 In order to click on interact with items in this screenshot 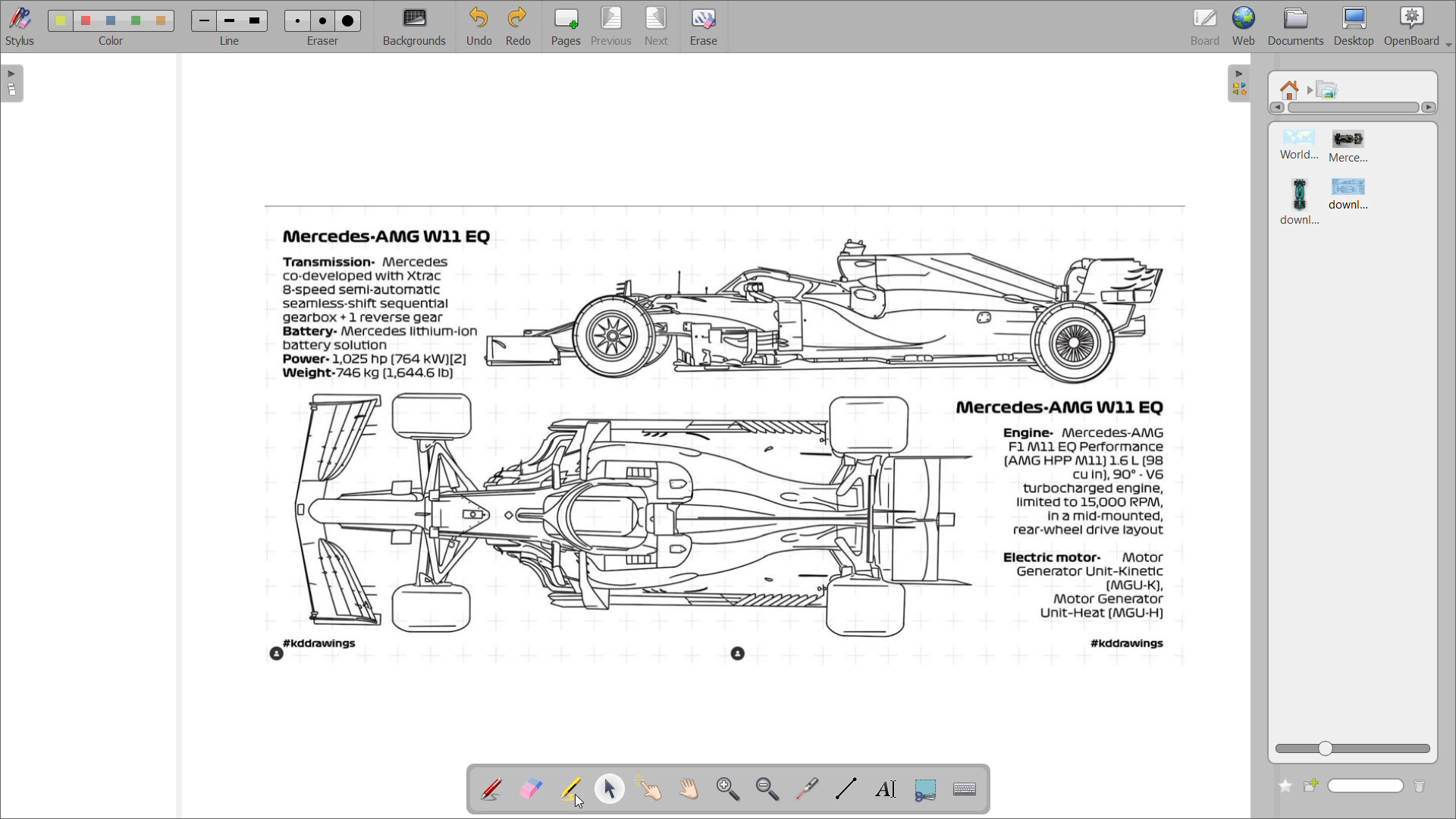, I will do `click(654, 789)`.